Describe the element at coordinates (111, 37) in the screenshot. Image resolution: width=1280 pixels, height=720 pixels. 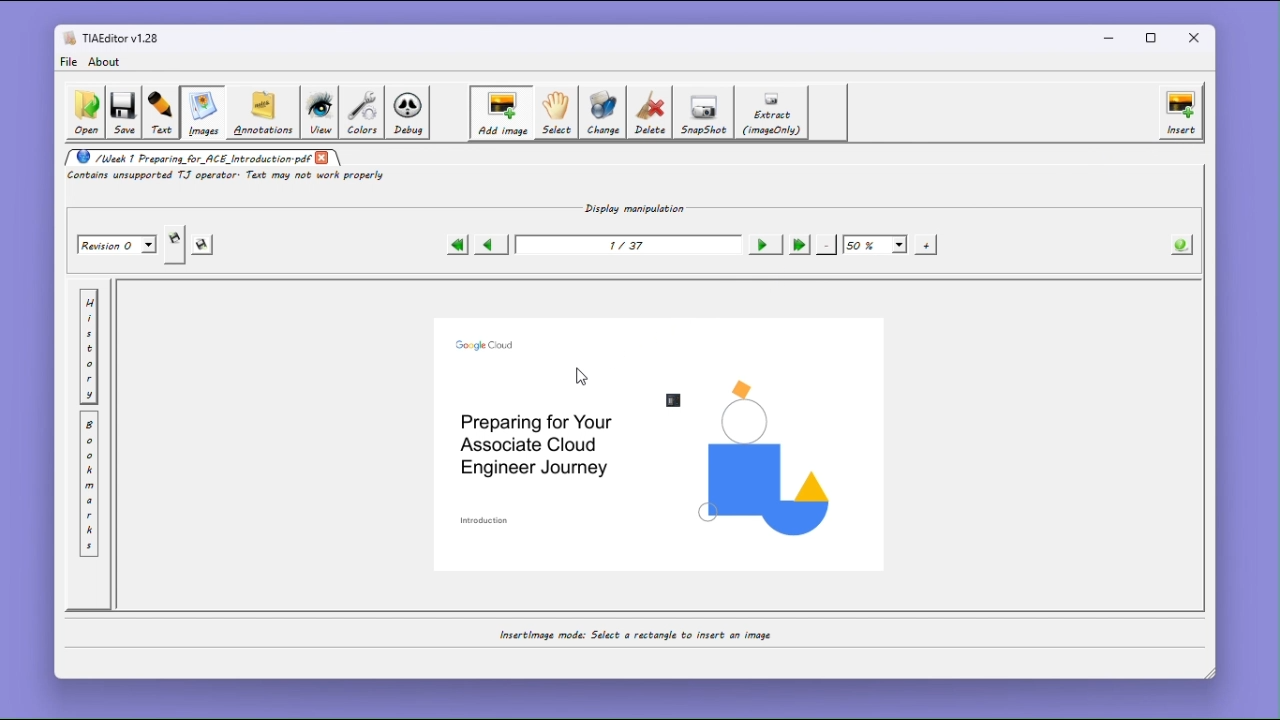
I see `TIAEditor v1.28` at that location.